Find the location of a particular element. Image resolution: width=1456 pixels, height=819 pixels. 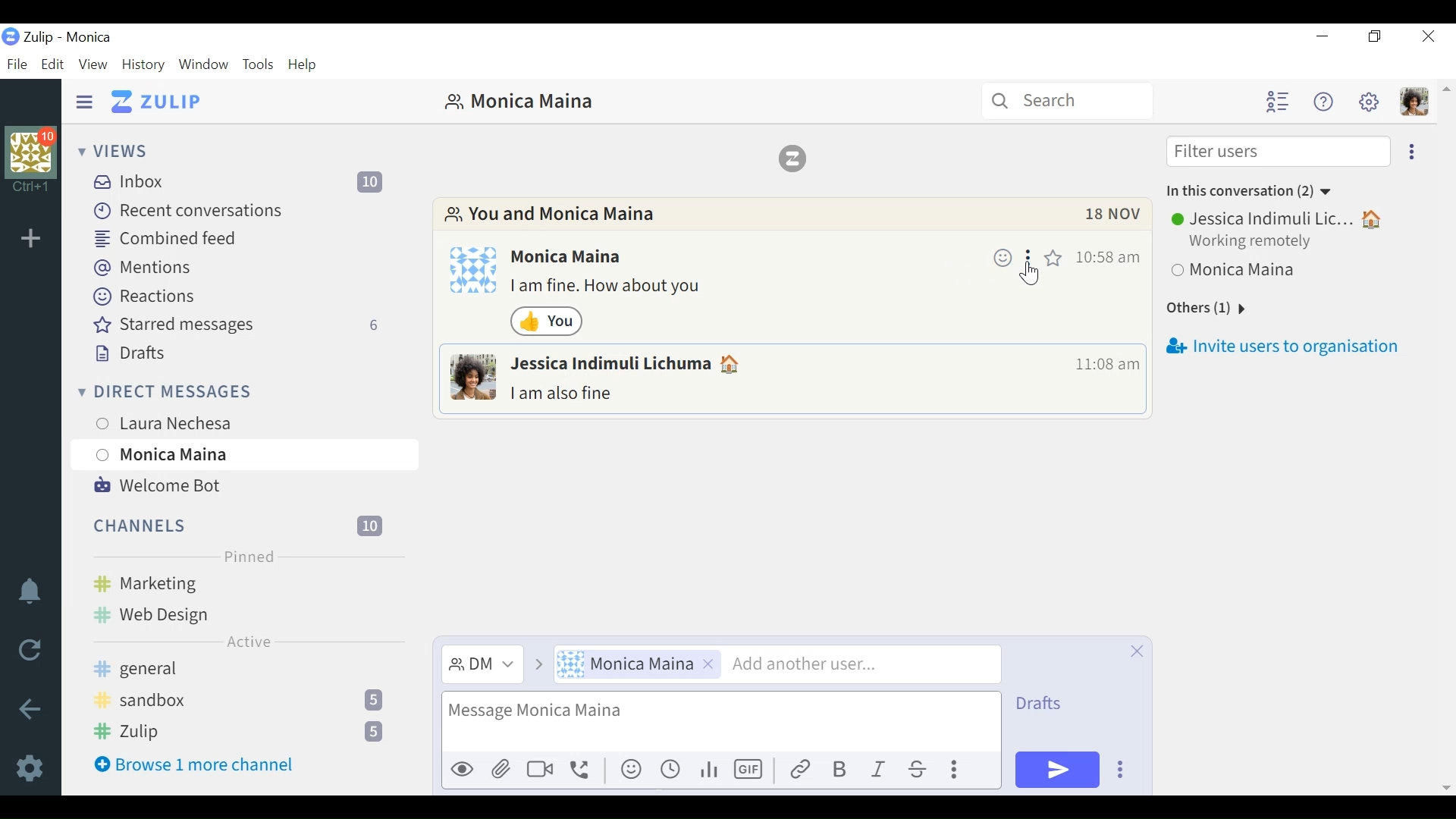

Working remotely is located at coordinates (1255, 244).